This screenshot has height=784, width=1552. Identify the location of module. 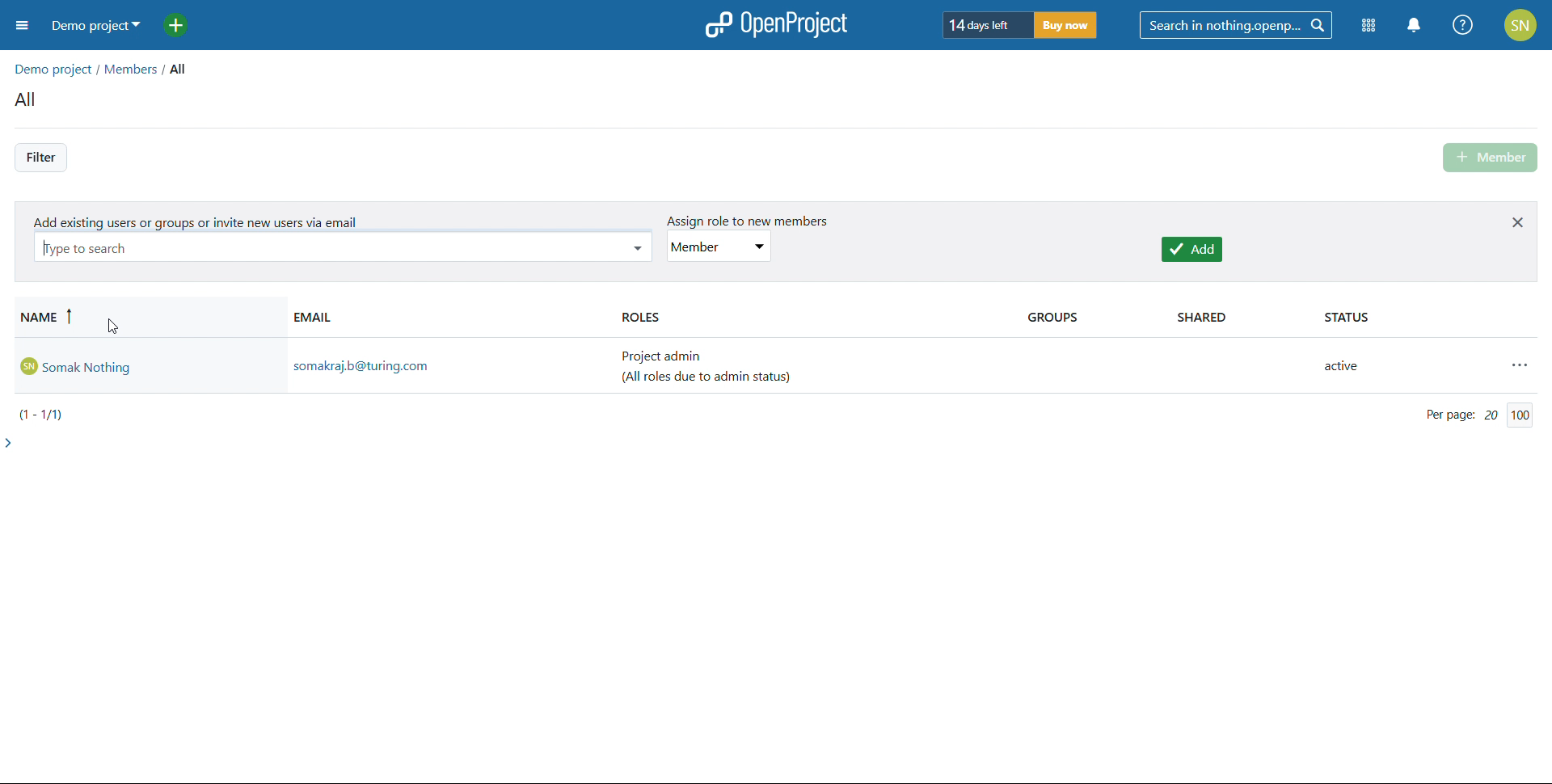
(1368, 26).